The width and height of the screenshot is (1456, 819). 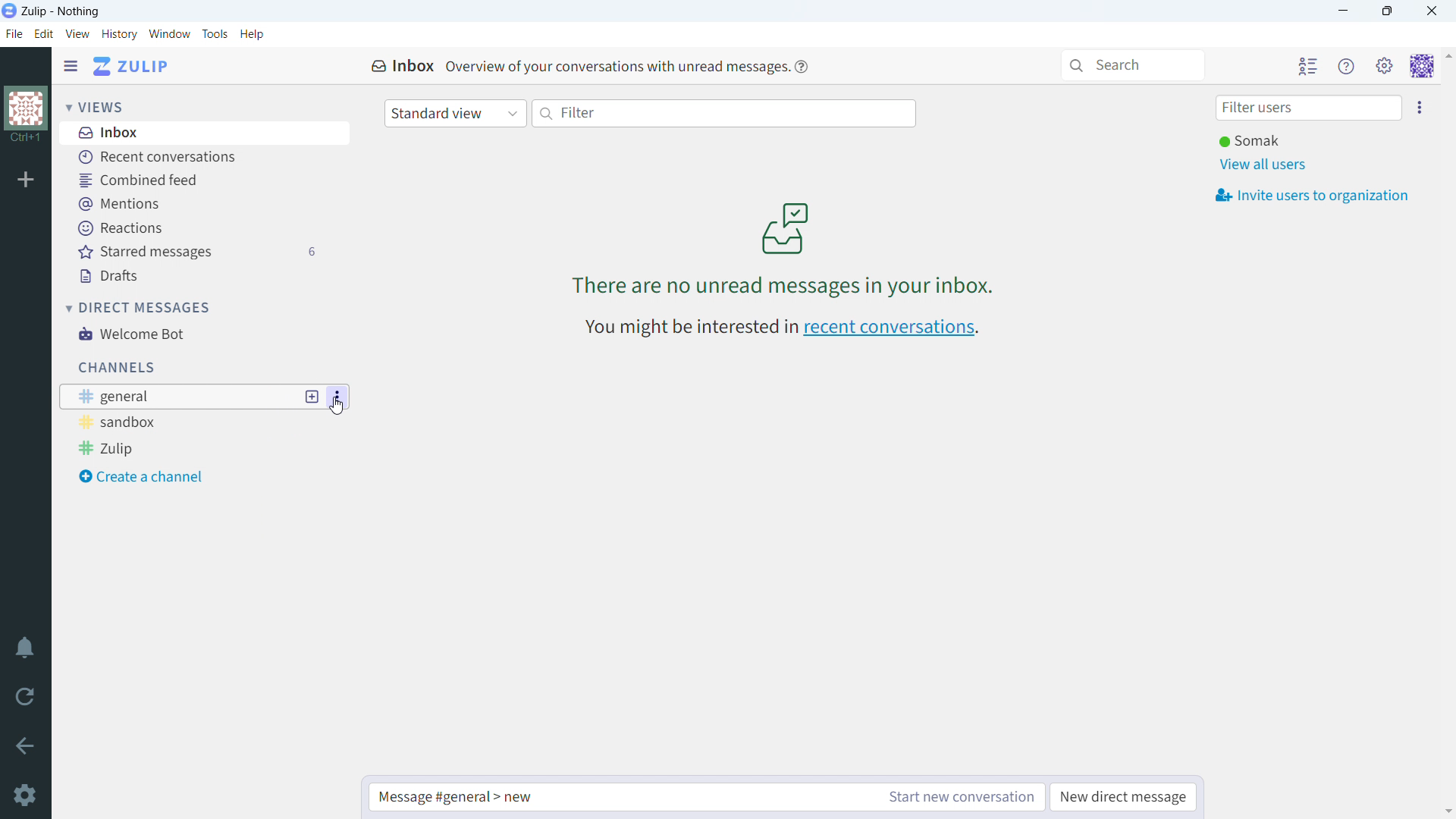 What do you see at coordinates (614, 65) in the screenshot?
I see `text` at bounding box center [614, 65].